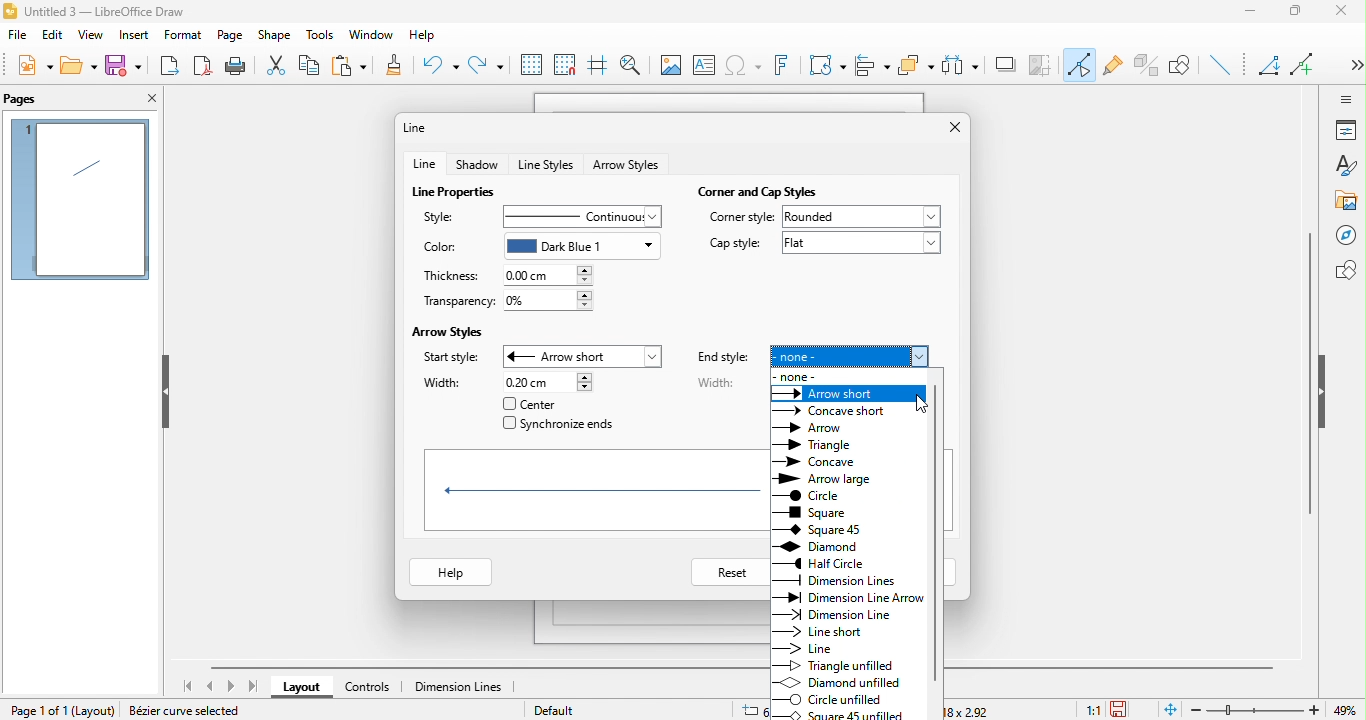  I want to click on controls, so click(368, 689).